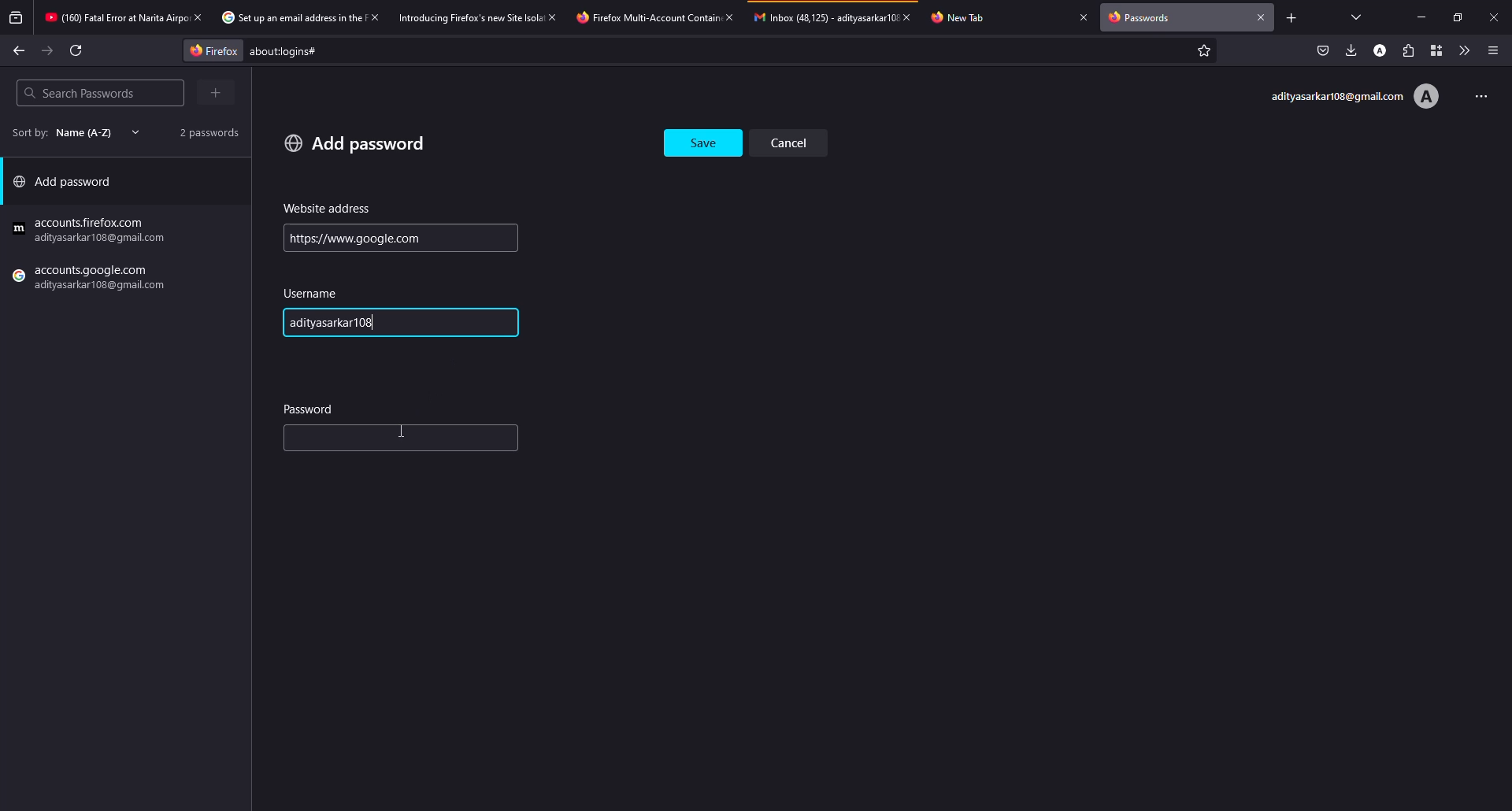  I want to click on close, so click(1084, 17).